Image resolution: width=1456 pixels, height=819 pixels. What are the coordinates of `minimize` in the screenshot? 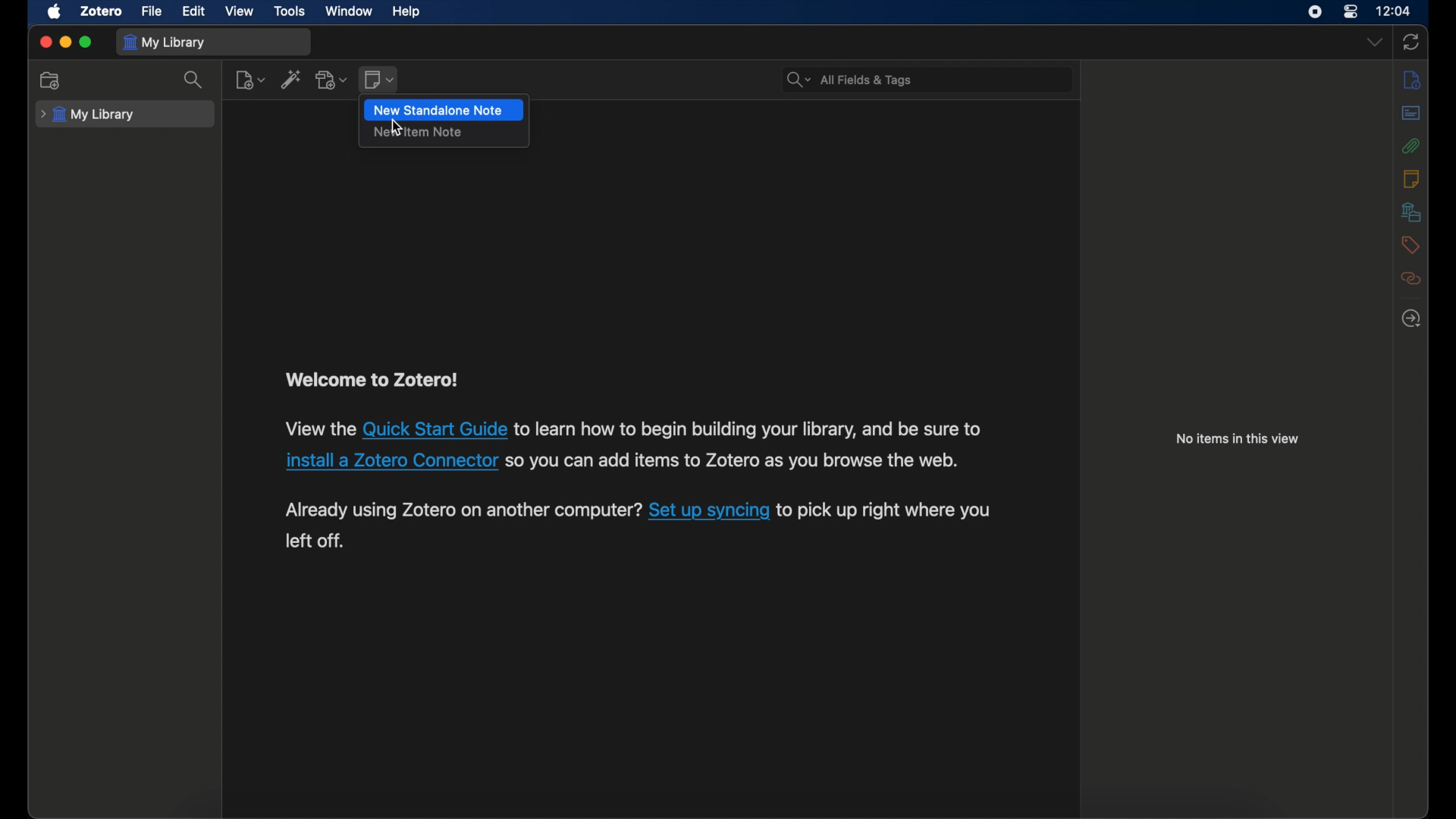 It's located at (67, 43).